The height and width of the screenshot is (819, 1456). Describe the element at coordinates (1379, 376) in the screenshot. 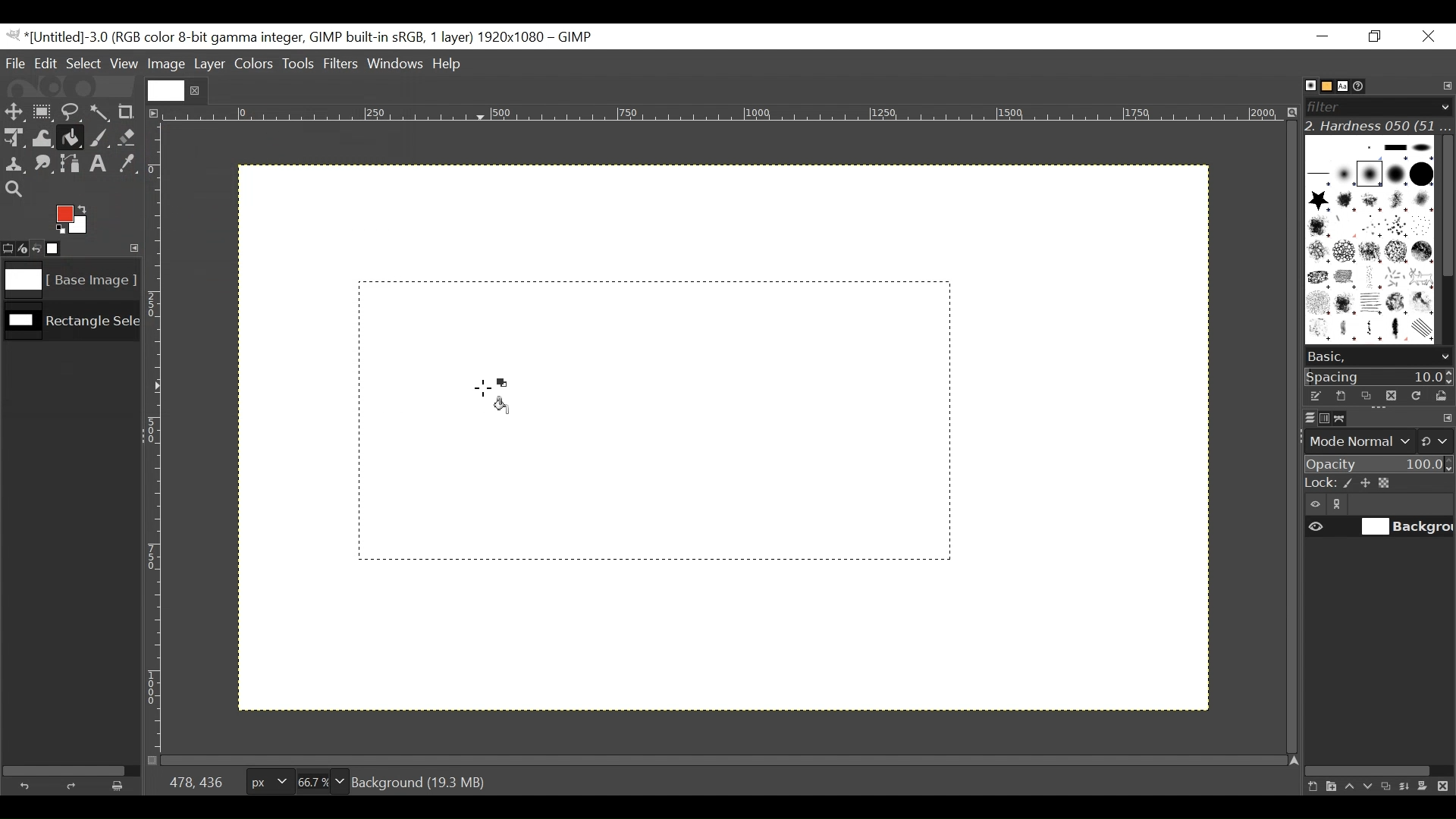

I see `Spacing` at that location.